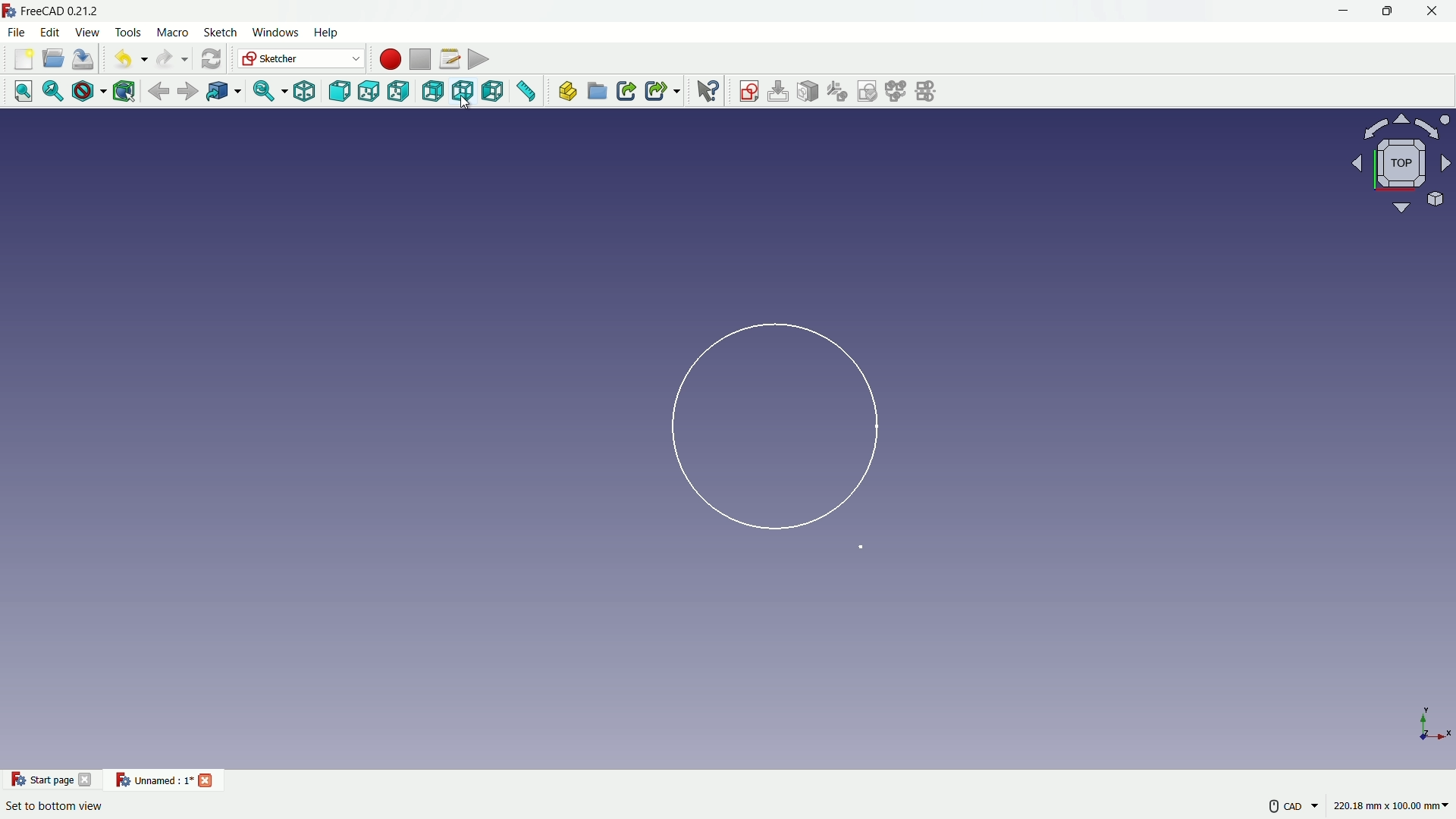 This screenshot has width=1456, height=819. What do you see at coordinates (567, 92) in the screenshot?
I see `create part` at bounding box center [567, 92].